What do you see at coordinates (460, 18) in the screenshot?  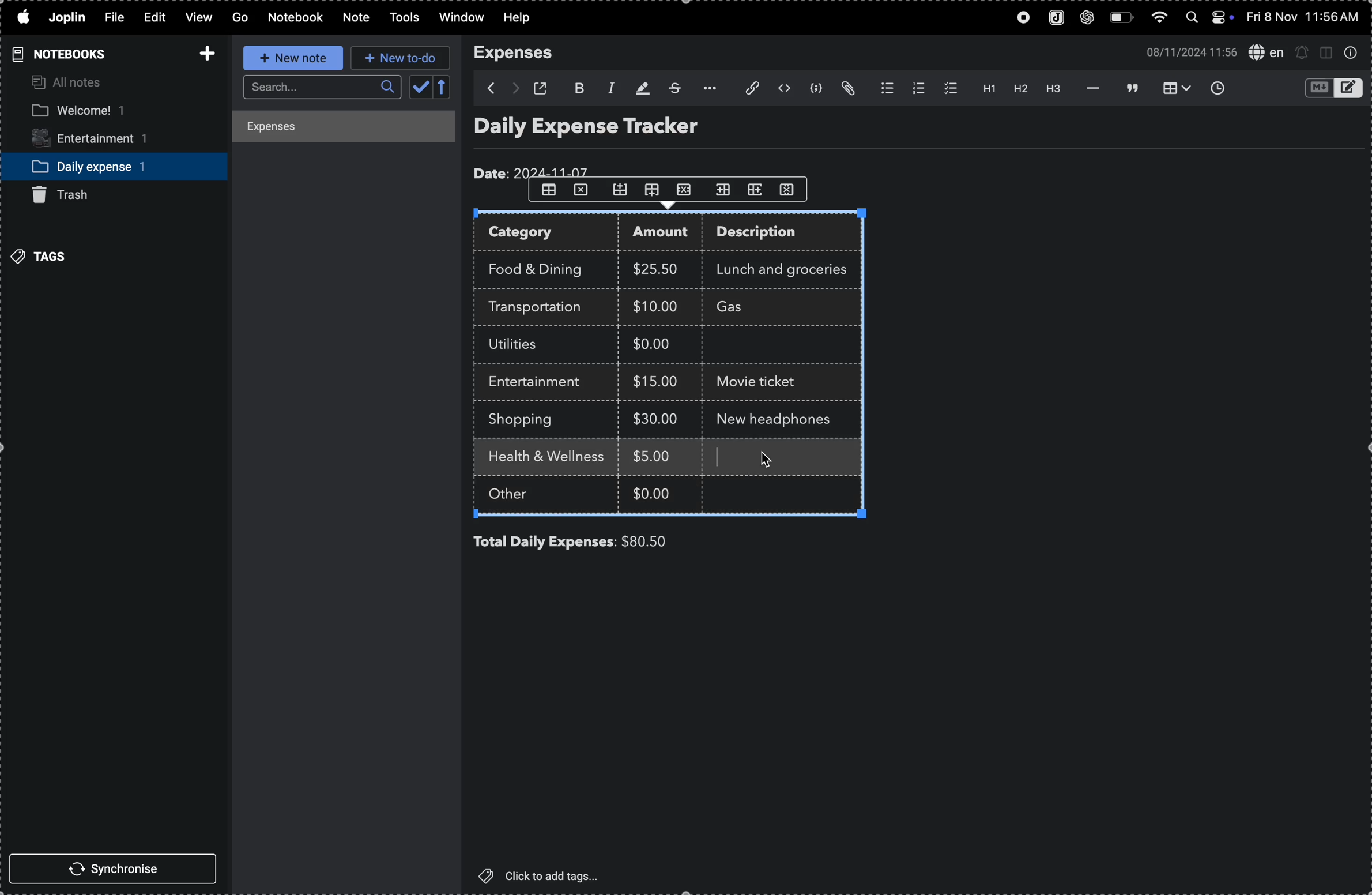 I see `window` at bounding box center [460, 18].